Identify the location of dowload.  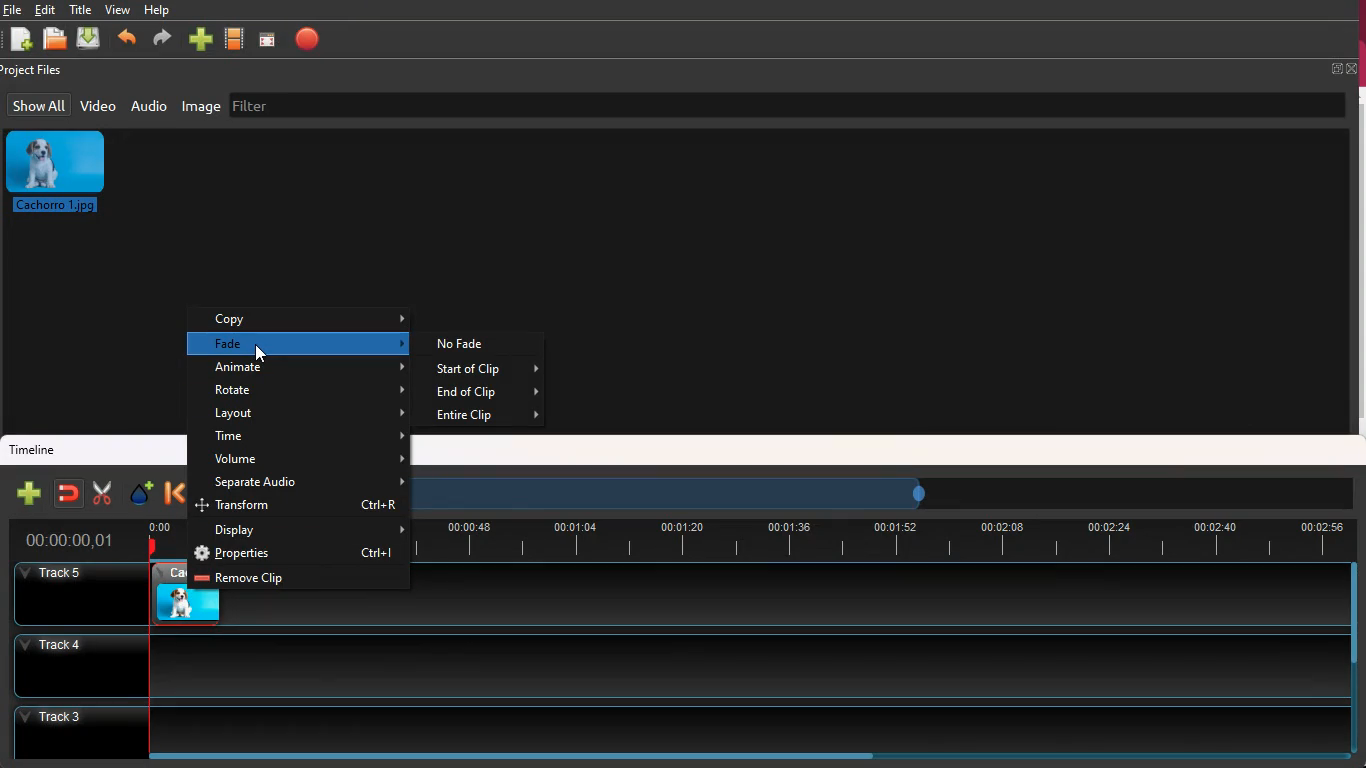
(92, 40).